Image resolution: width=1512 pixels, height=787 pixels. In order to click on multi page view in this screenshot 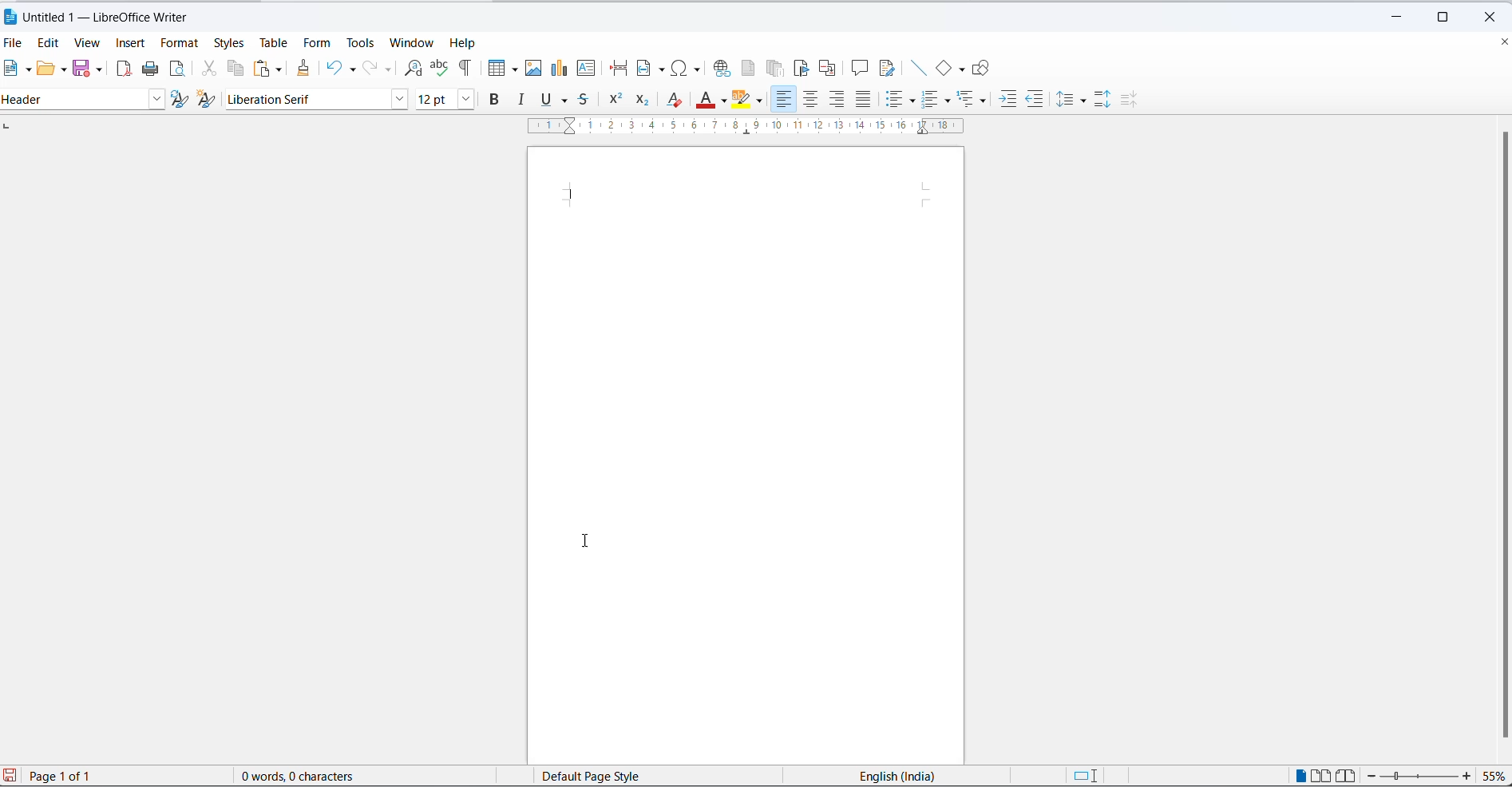, I will do `click(1320, 777)`.